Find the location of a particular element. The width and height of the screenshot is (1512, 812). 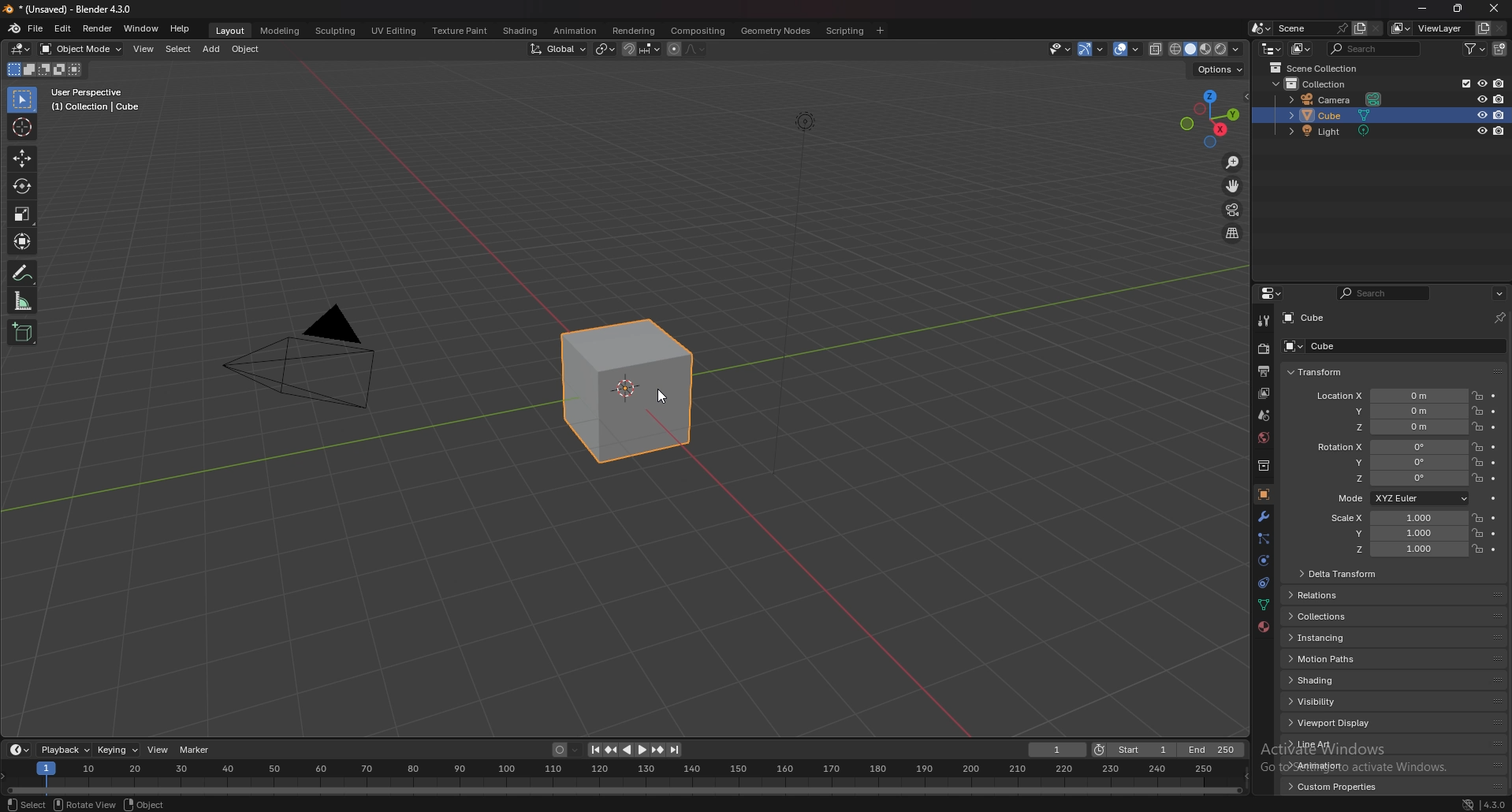

playback is located at coordinates (64, 750).